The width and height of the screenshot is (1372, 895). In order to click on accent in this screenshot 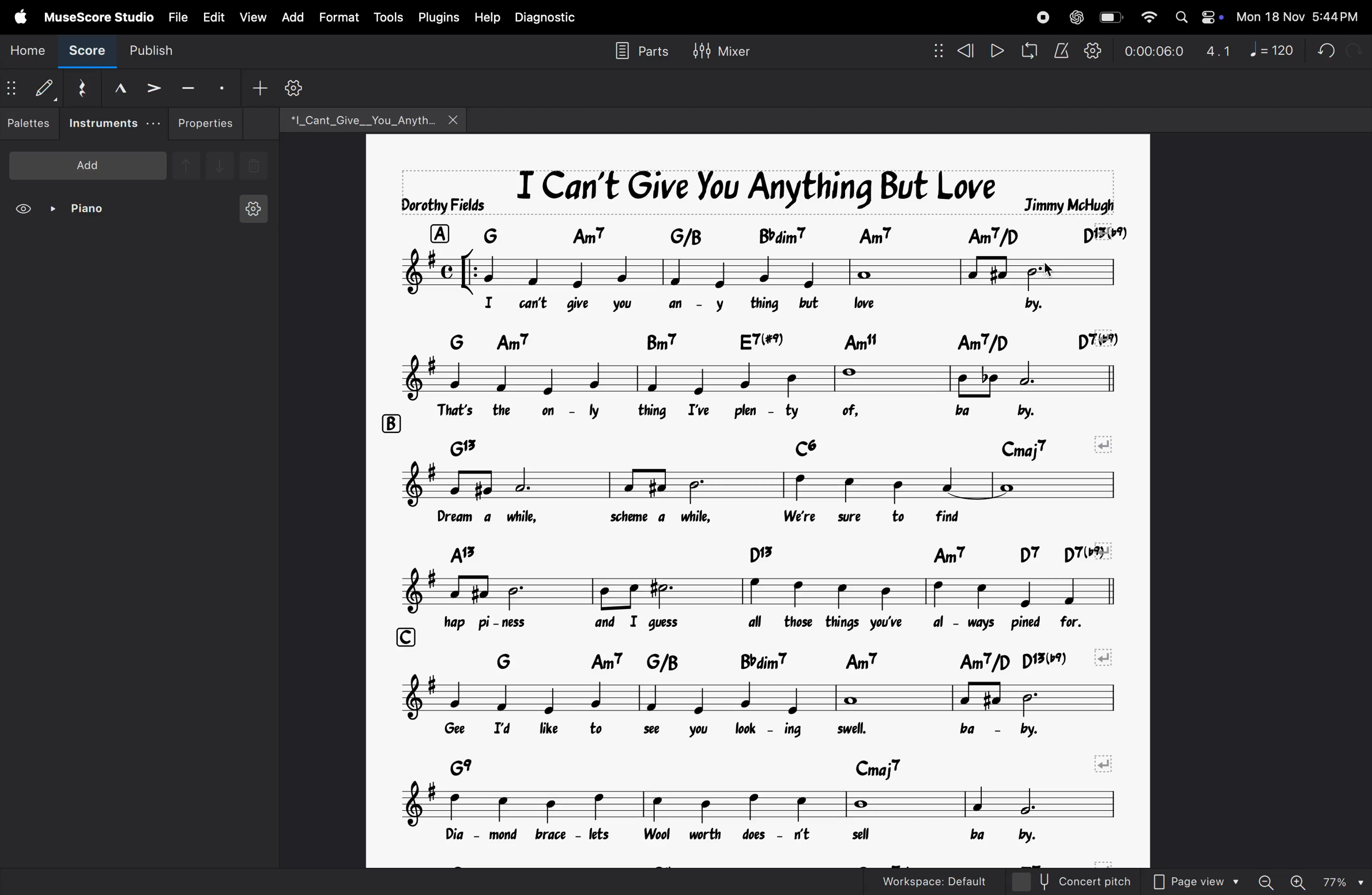, I will do `click(153, 87)`.